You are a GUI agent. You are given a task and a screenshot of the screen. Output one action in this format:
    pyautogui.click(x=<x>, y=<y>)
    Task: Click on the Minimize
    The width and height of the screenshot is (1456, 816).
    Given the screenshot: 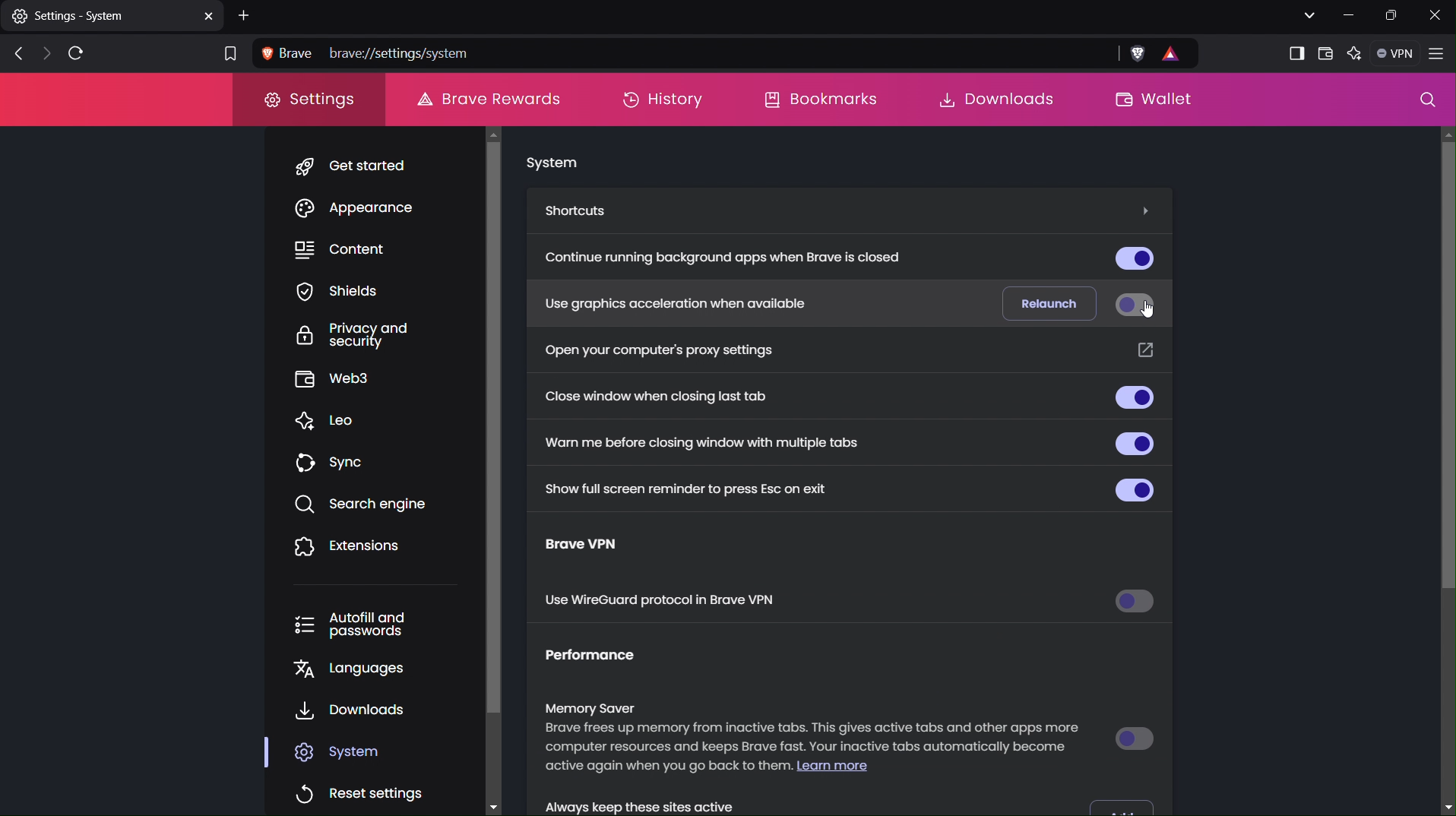 What is the action you would take?
    pyautogui.click(x=1345, y=15)
    